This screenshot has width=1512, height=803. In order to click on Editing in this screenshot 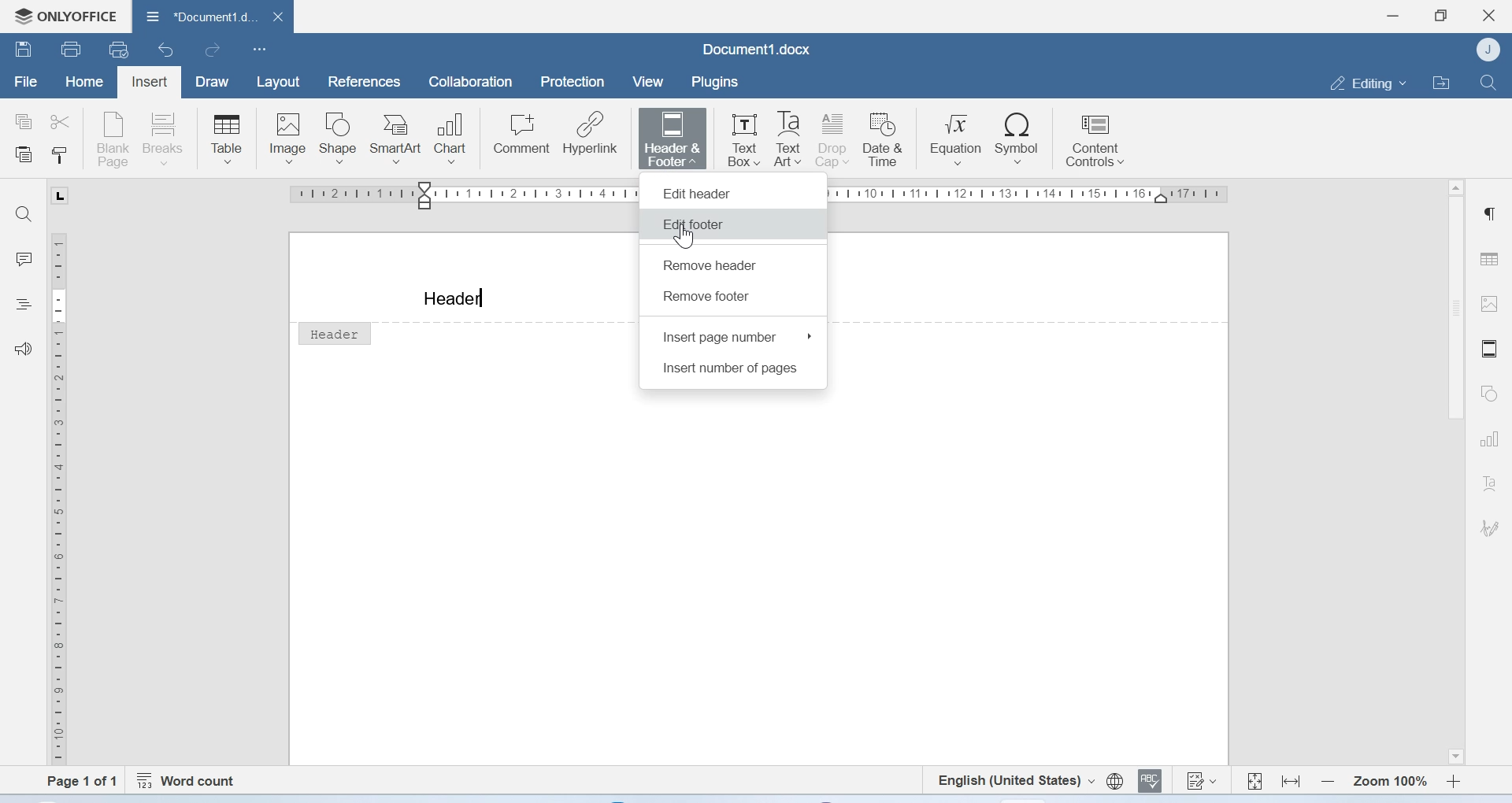, I will do `click(1364, 82)`.